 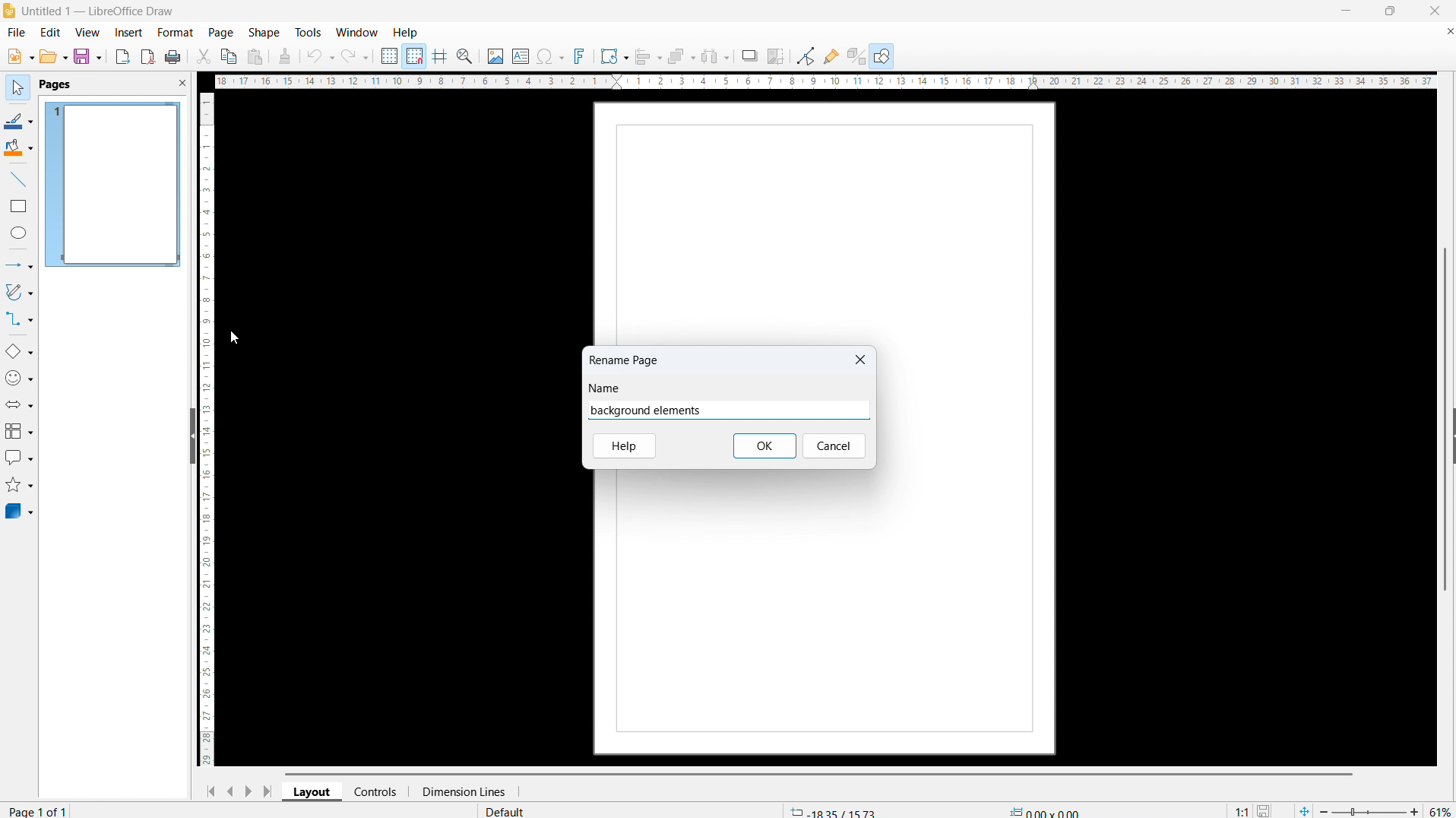 I want to click on basic shapes, so click(x=19, y=352).